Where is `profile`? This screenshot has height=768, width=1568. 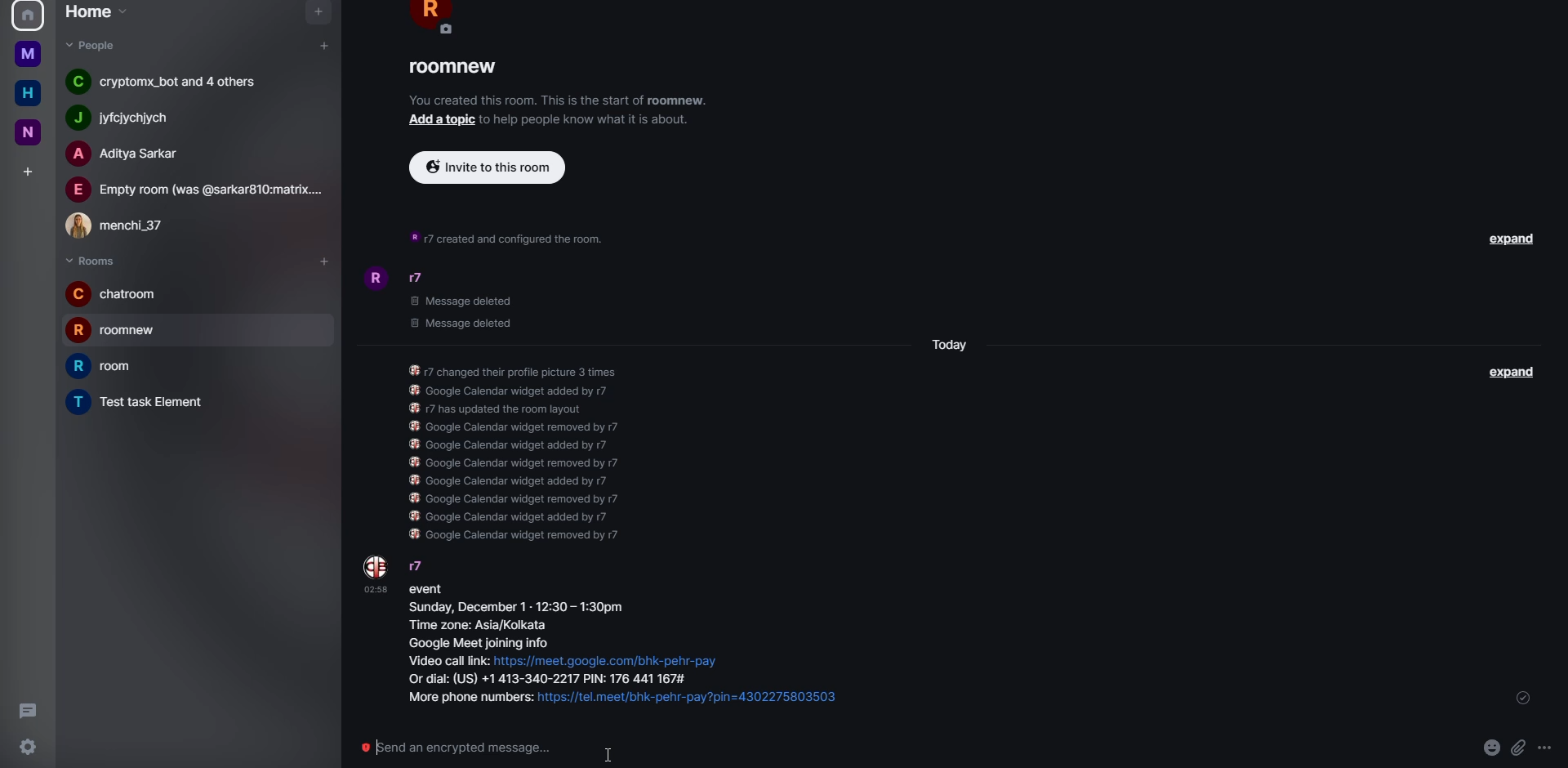
profile is located at coordinates (376, 566).